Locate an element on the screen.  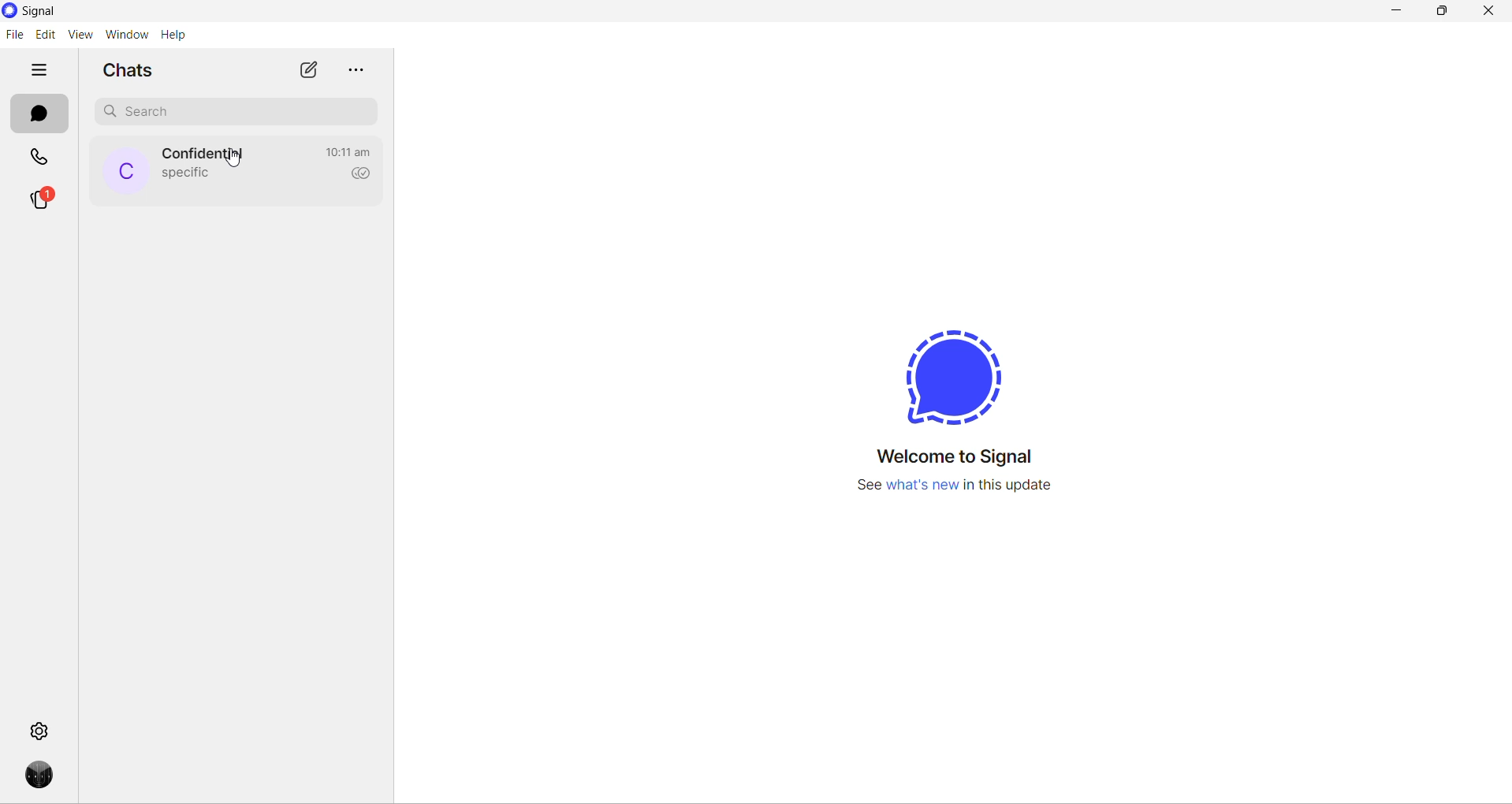
profile picture is located at coordinates (128, 172).